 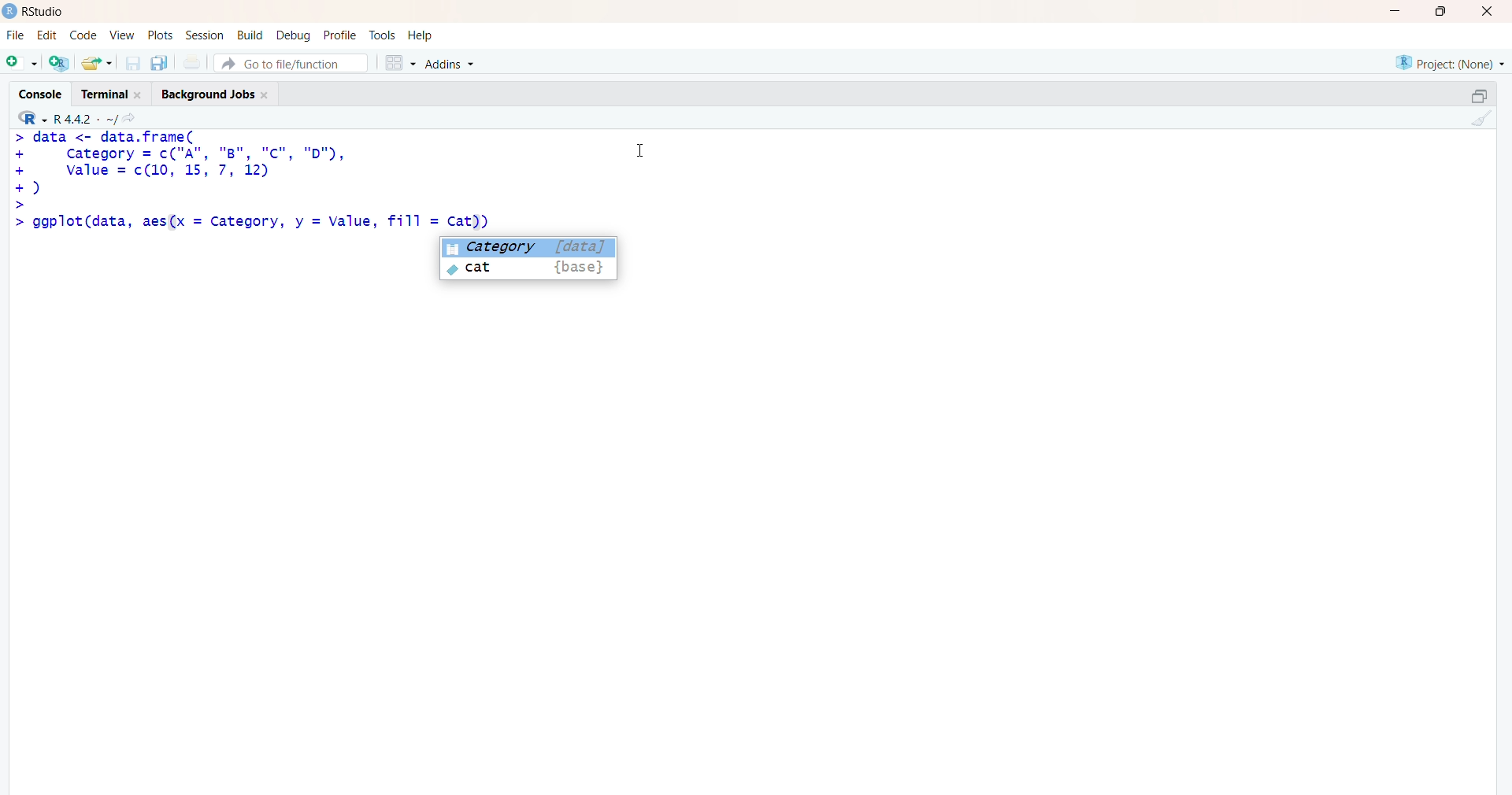 What do you see at coordinates (83, 35) in the screenshot?
I see `code` at bounding box center [83, 35].